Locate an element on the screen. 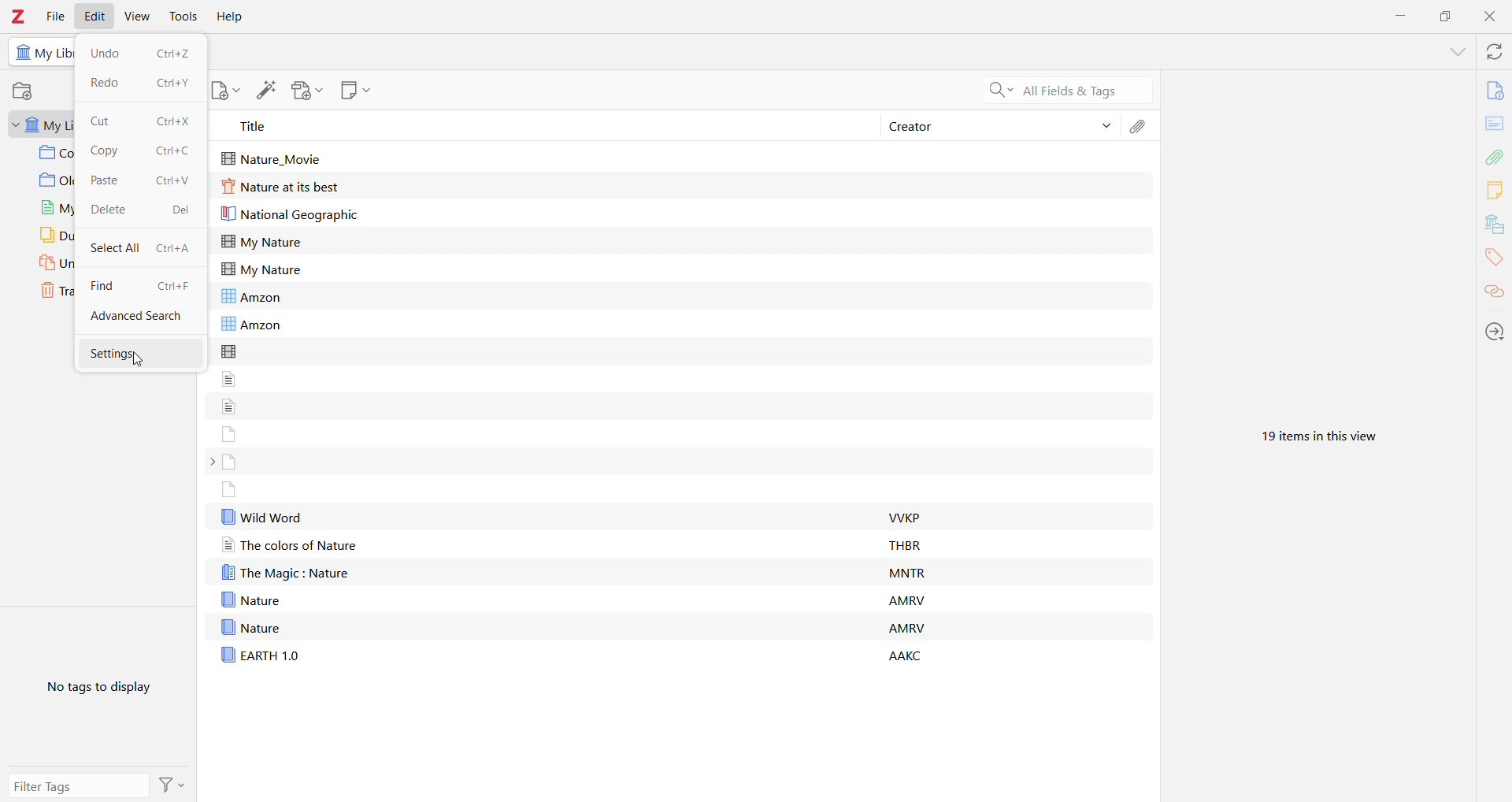 Image resolution: width=1512 pixels, height=802 pixels. View is located at coordinates (137, 16).